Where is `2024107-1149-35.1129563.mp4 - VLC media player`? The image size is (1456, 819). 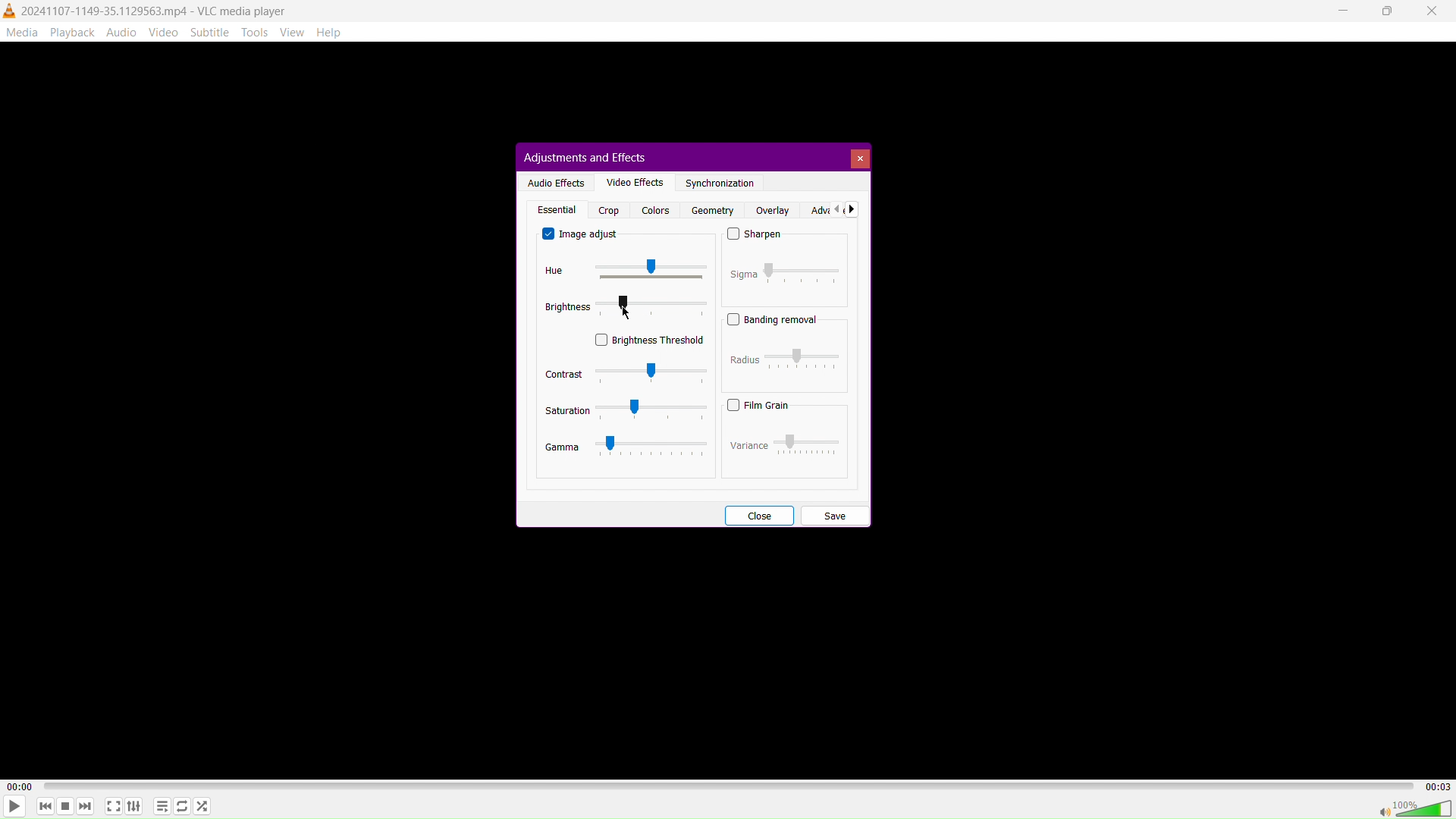 2024107-1149-35.1129563.mp4 - VLC media player is located at coordinates (146, 9).